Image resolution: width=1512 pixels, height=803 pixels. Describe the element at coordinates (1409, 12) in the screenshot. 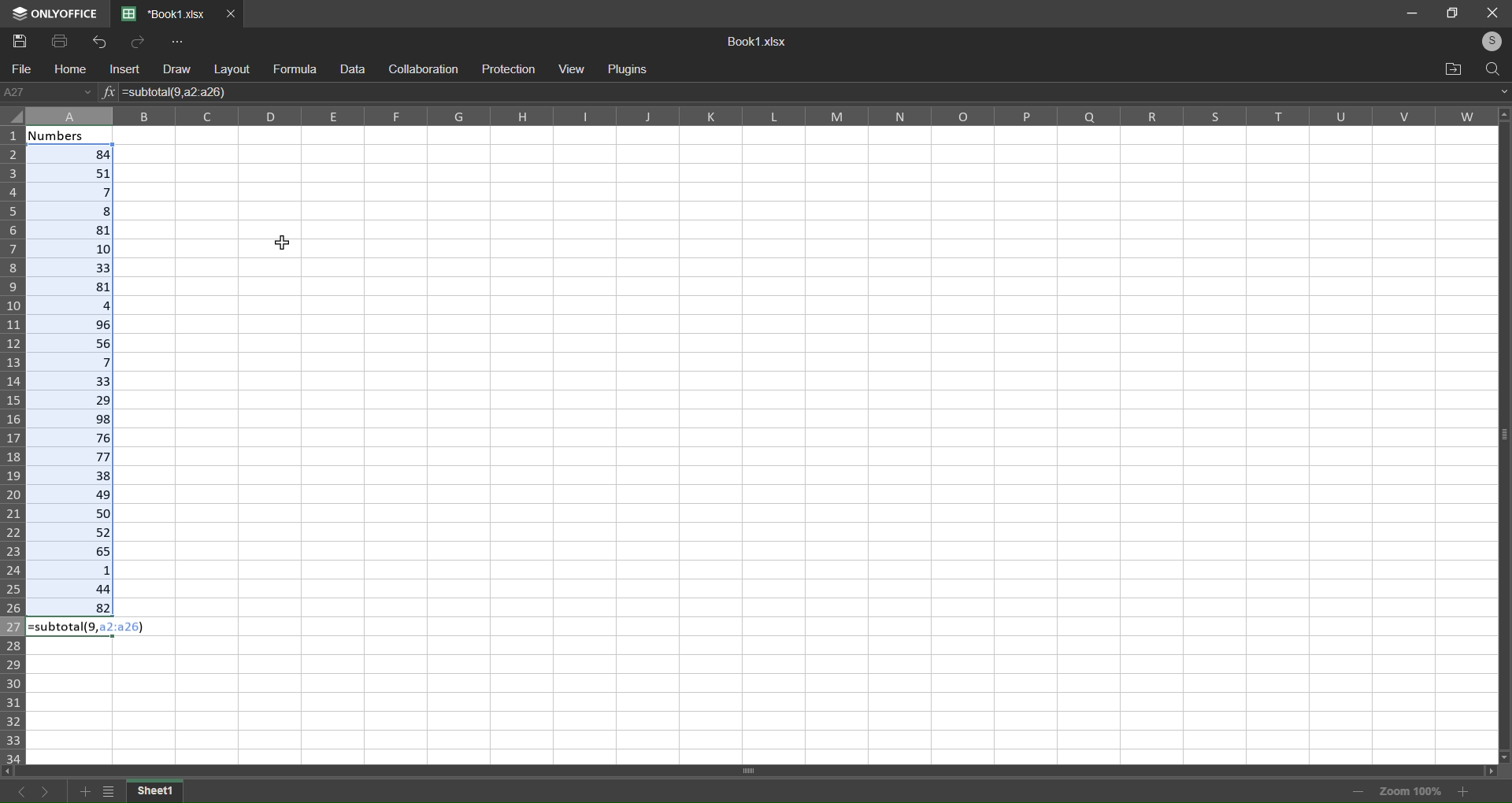

I see `minimize` at that location.